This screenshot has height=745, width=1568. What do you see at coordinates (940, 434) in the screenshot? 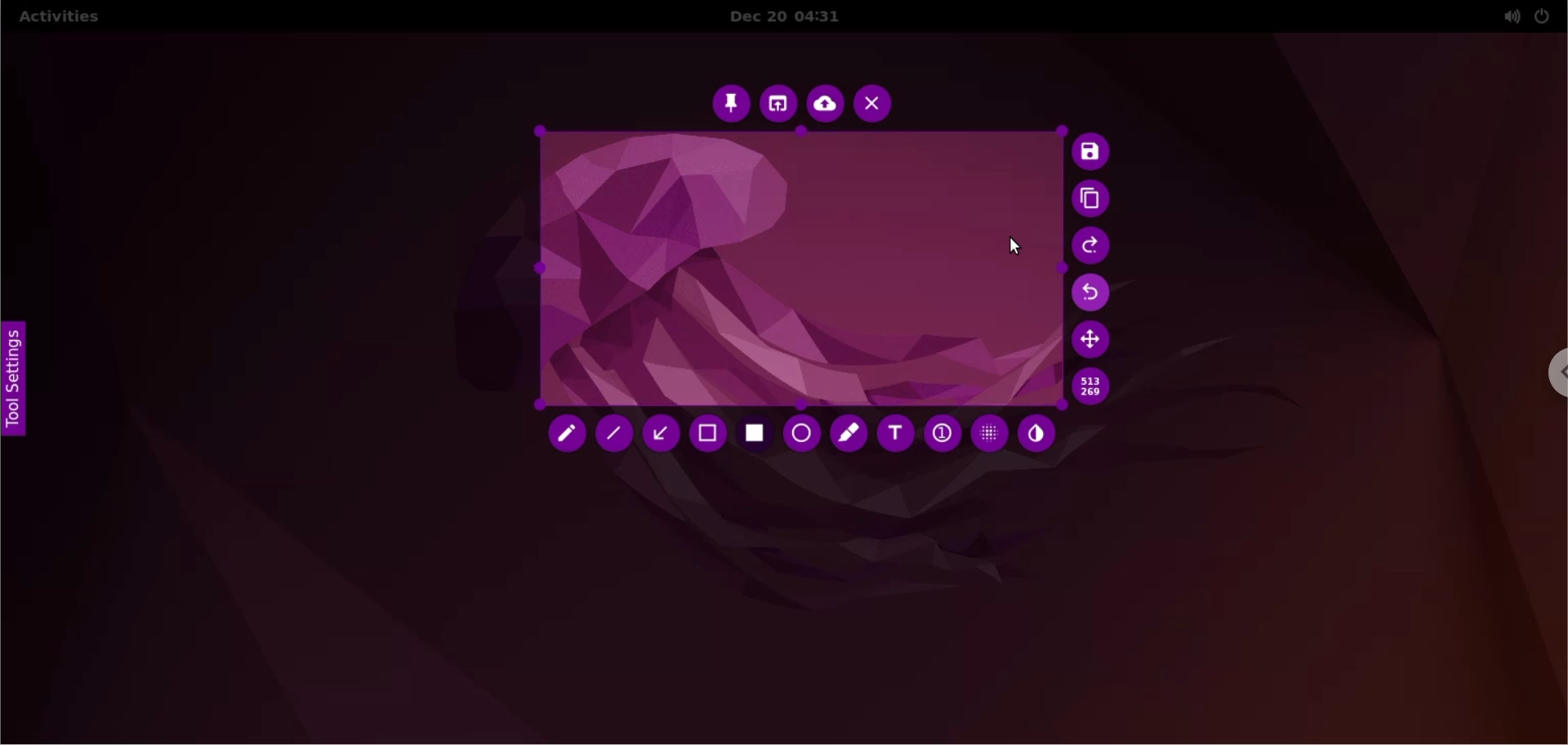
I see `auto increment` at bounding box center [940, 434].